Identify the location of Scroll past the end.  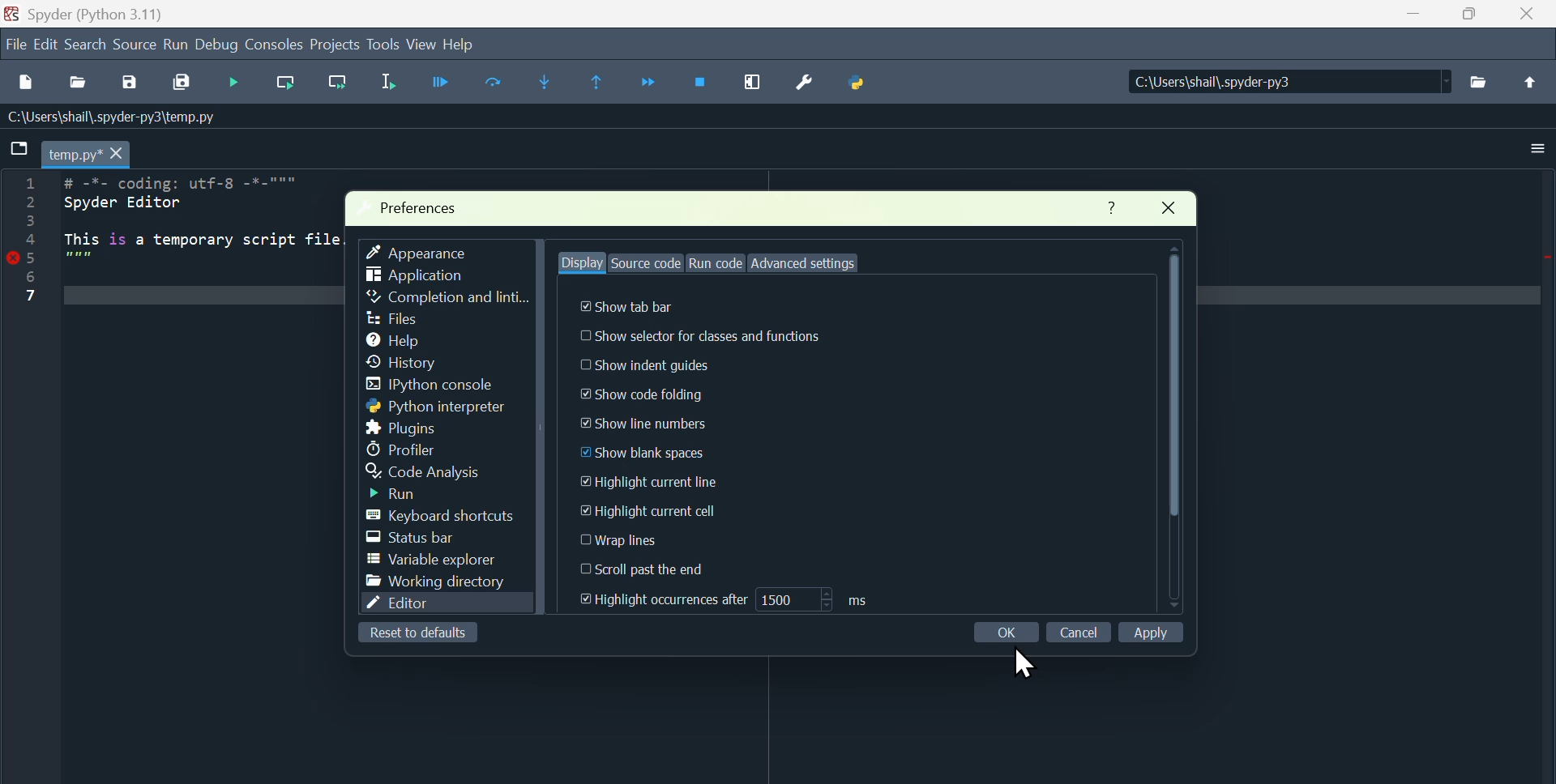
(655, 569).